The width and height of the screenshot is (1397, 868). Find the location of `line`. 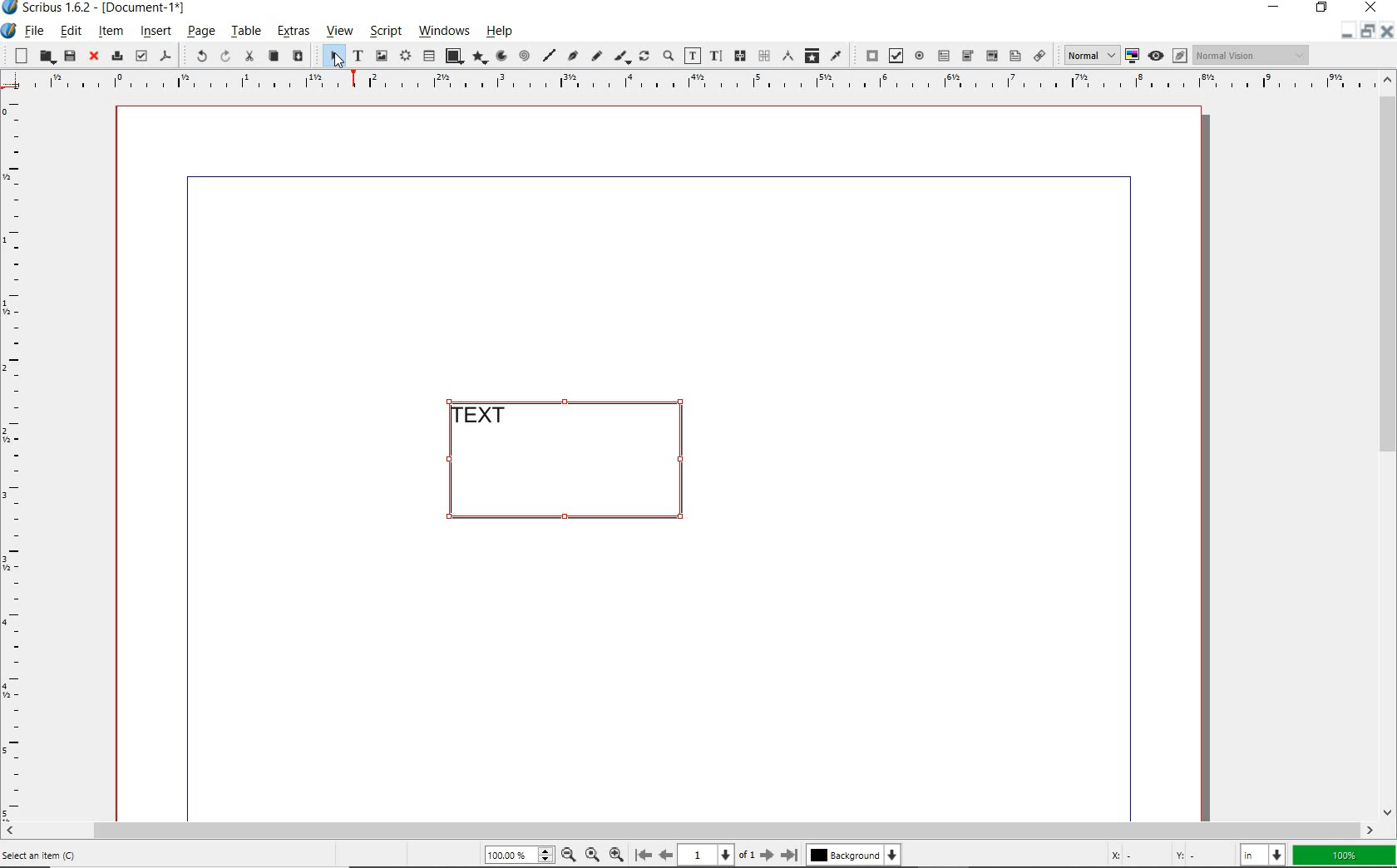

line is located at coordinates (549, 54).